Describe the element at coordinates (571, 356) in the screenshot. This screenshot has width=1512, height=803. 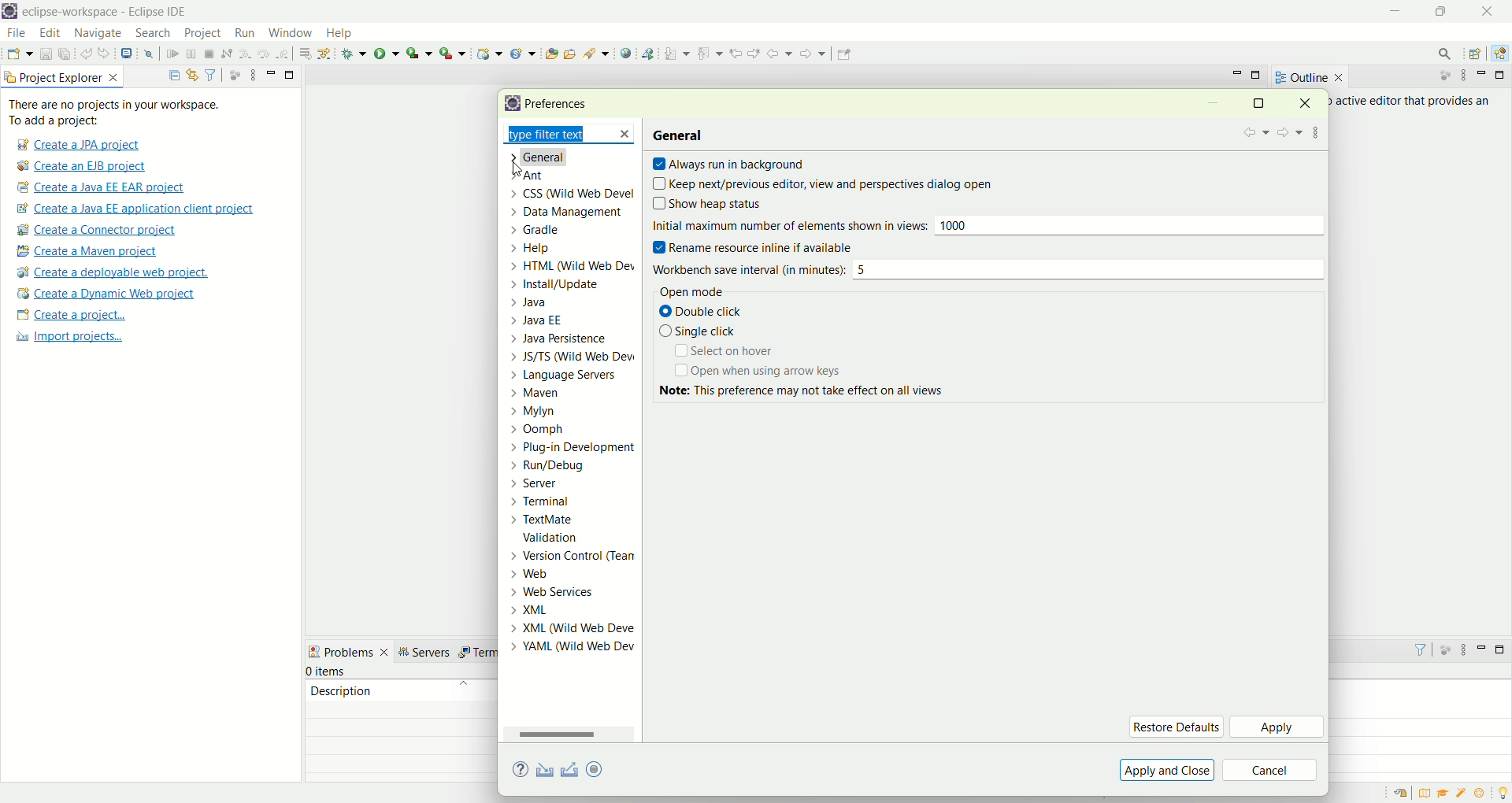
I see `JS/TS` at that location.